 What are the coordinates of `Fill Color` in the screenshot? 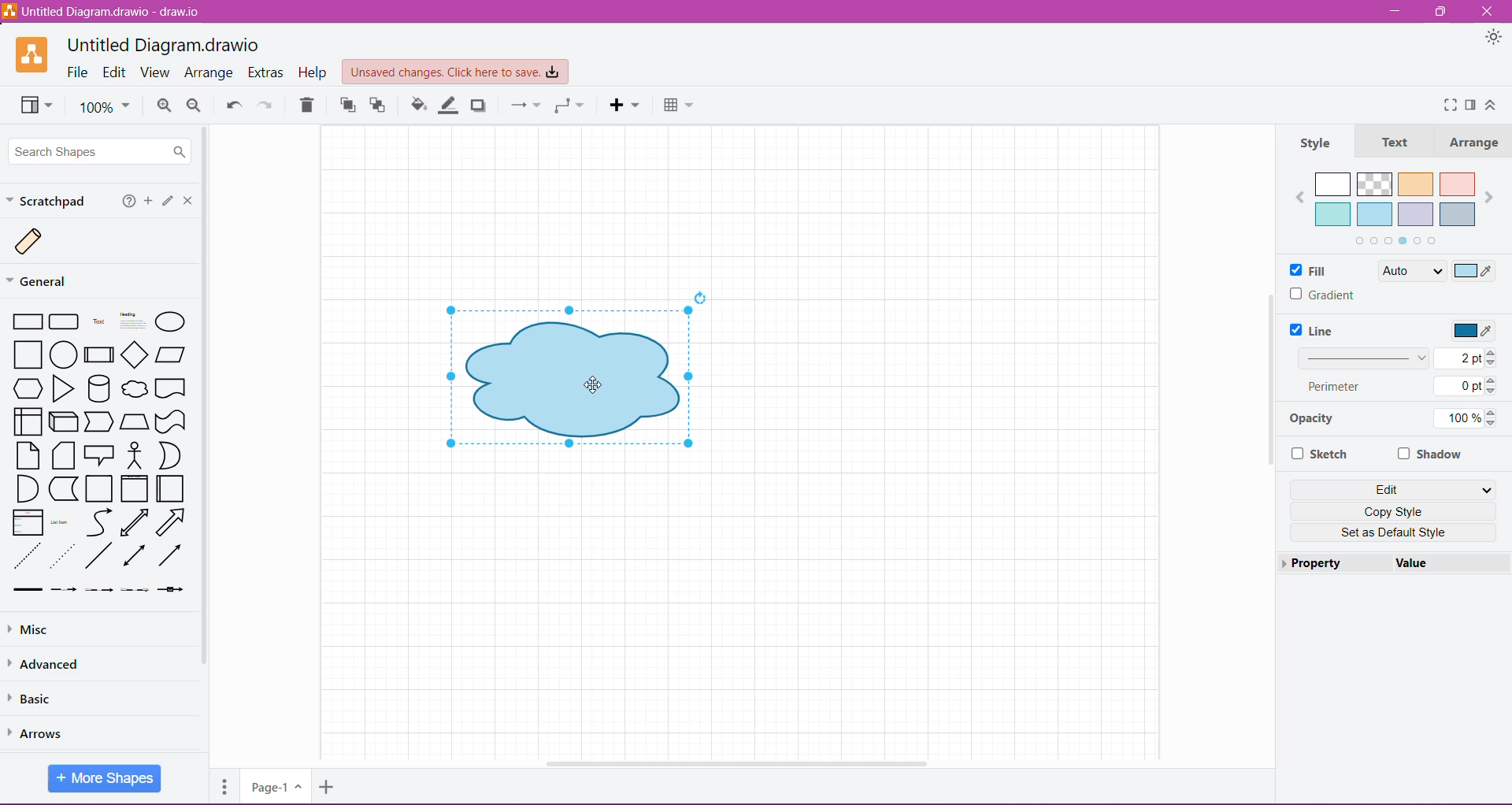 It's located at (418, 106).